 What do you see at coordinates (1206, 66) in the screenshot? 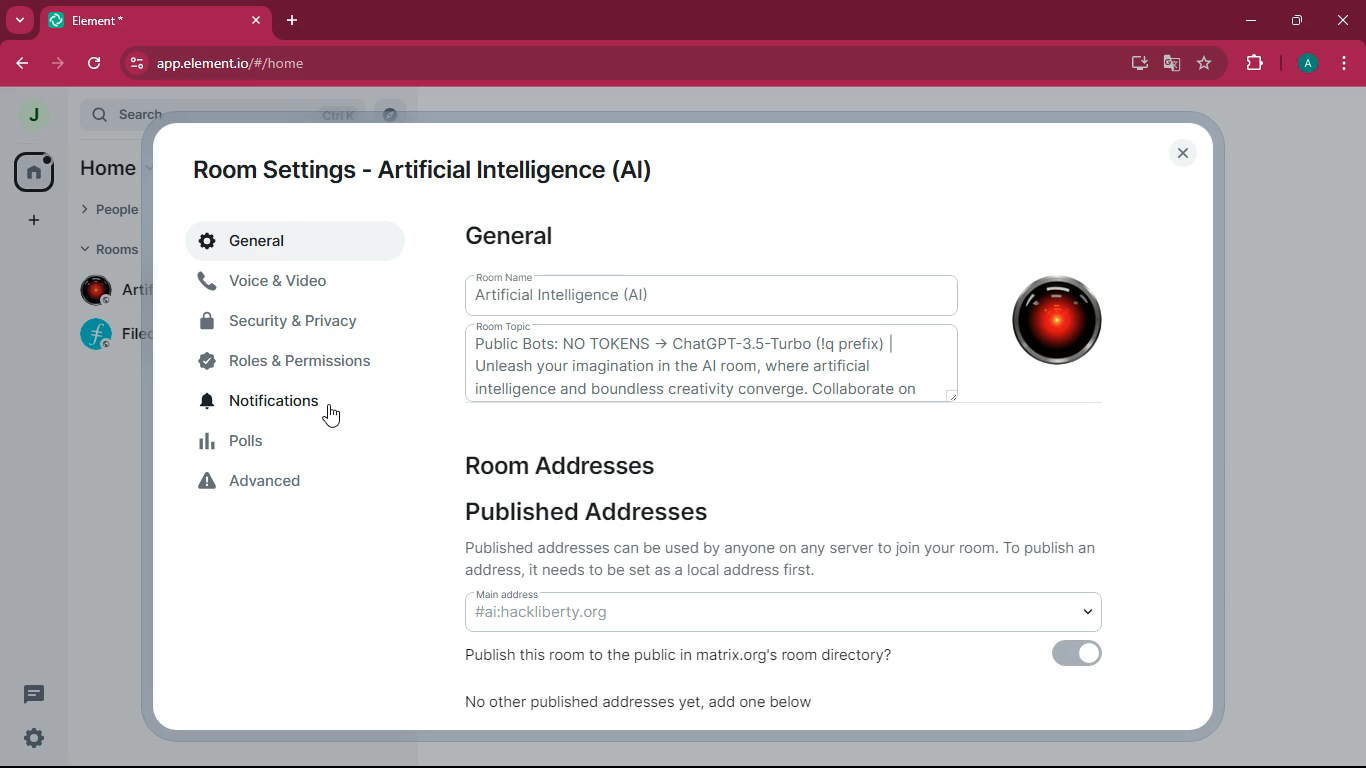
I see `favorite` at bounding box center [1206, 66].